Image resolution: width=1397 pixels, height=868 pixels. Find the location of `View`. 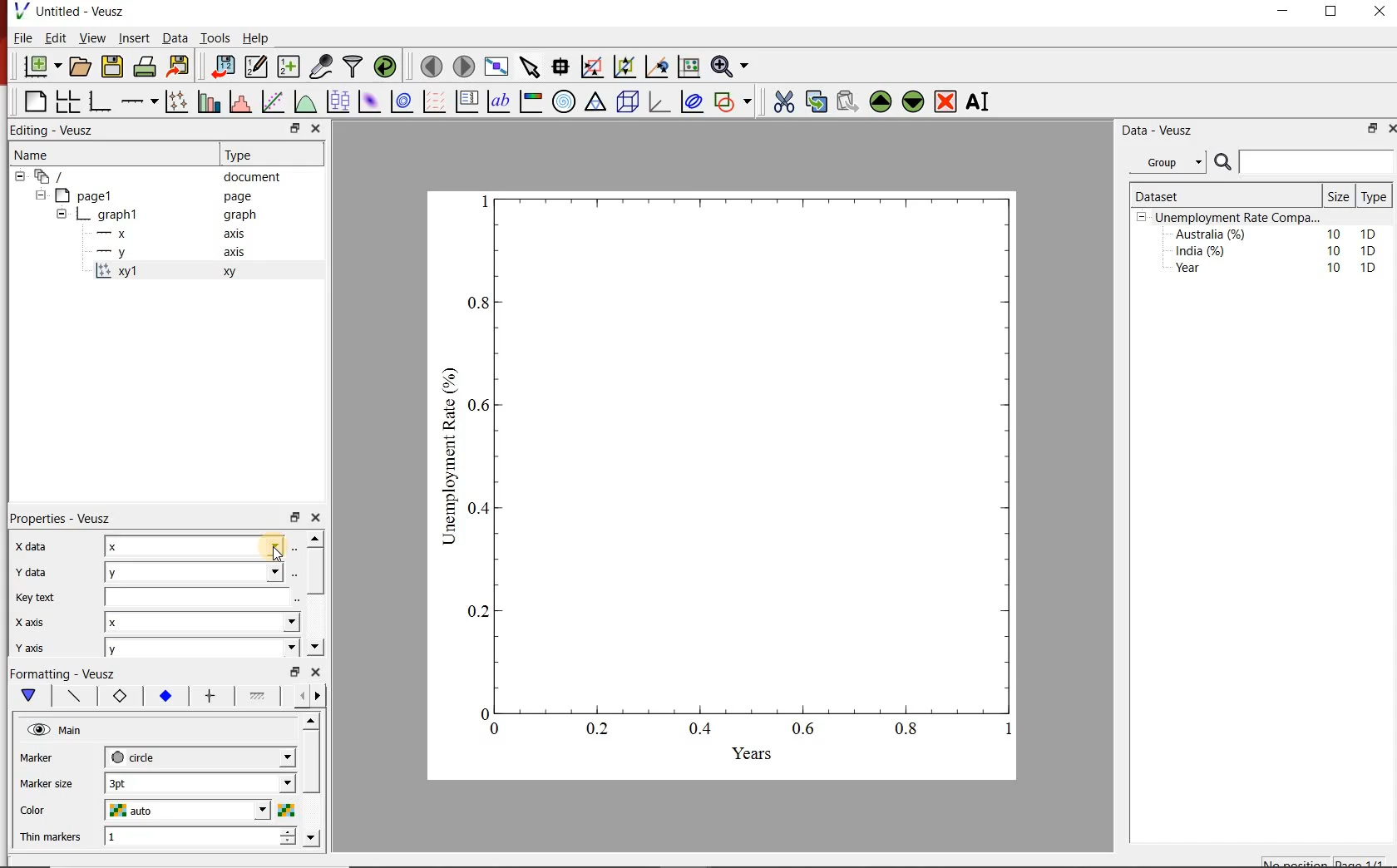

View is located at coordinates (91, 38).